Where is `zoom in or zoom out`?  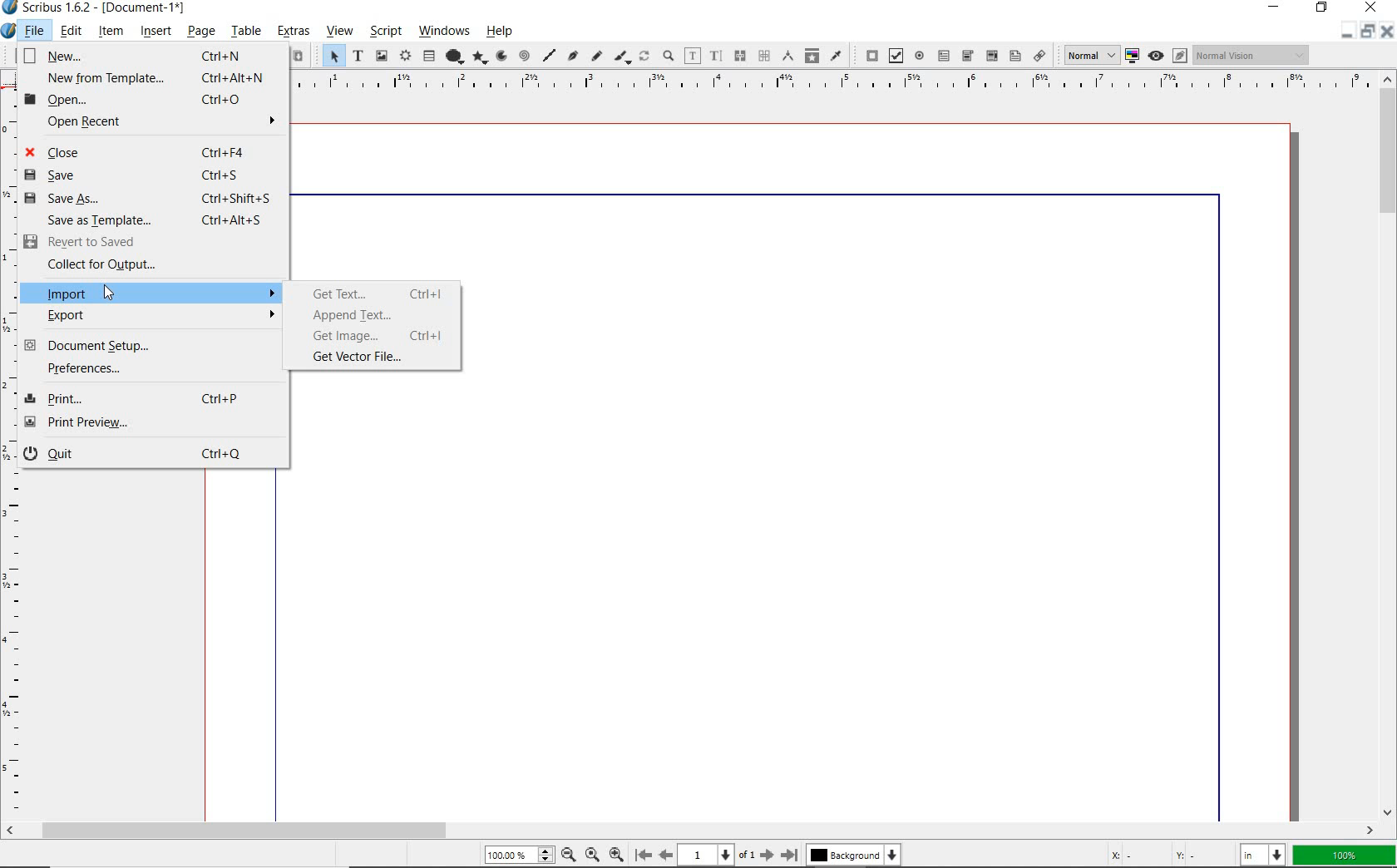 zoom in or zoom out is located at coordinates (669, 54).